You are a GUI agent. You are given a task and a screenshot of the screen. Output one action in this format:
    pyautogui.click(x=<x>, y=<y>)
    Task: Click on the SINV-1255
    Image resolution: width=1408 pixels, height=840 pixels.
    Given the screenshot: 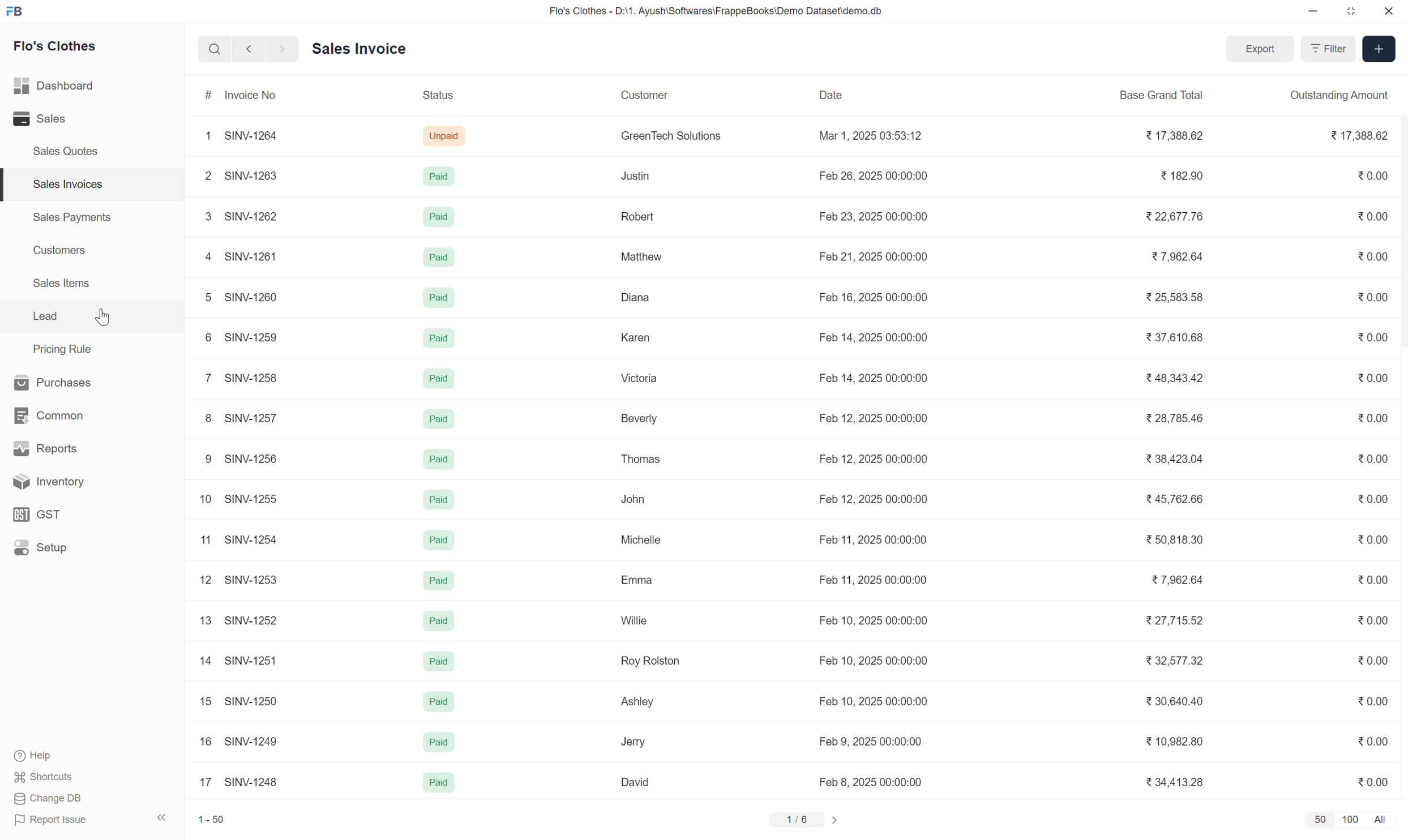 What is the action you would take?
    pyautogui.click(x=253, y=497)
    